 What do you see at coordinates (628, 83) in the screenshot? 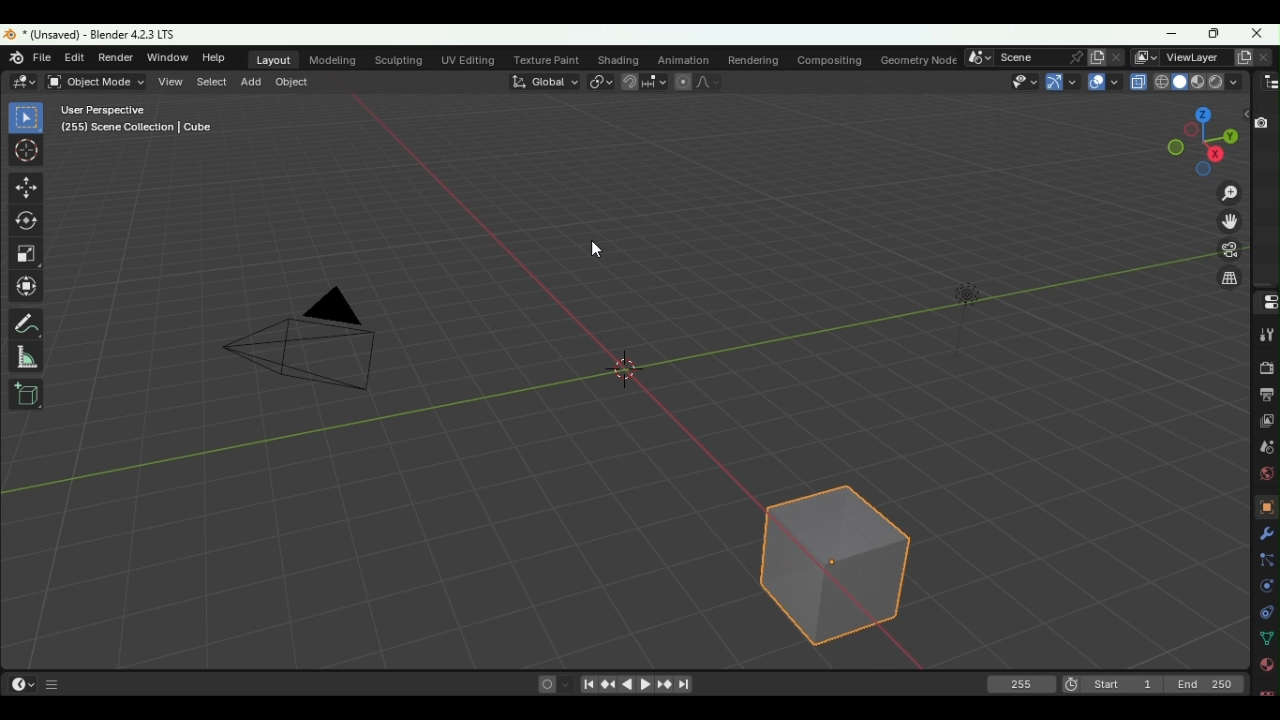
I see `Snap` at bounding box center [628, 83].